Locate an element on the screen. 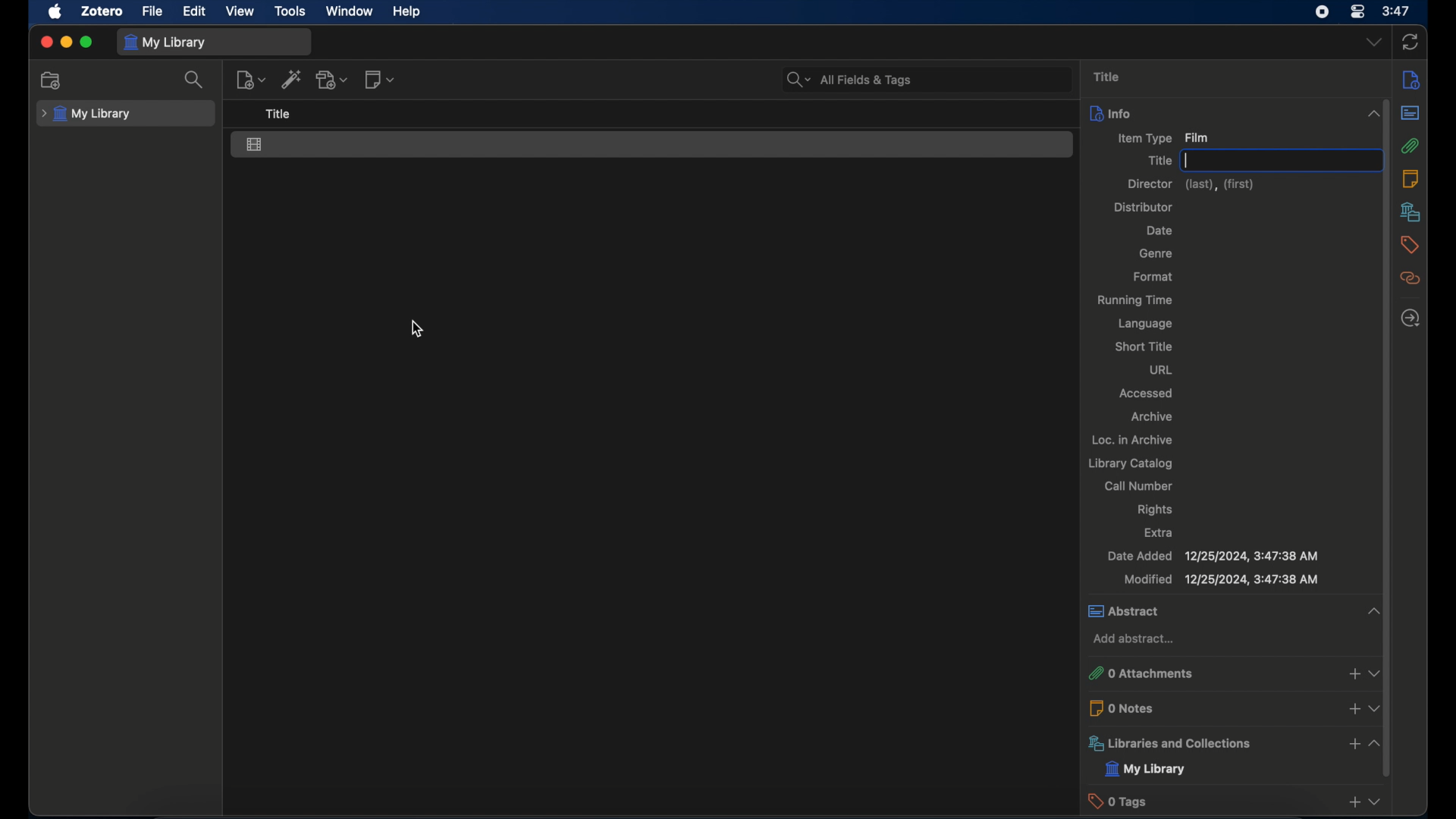  sync is located at coordinates (1411, 42).